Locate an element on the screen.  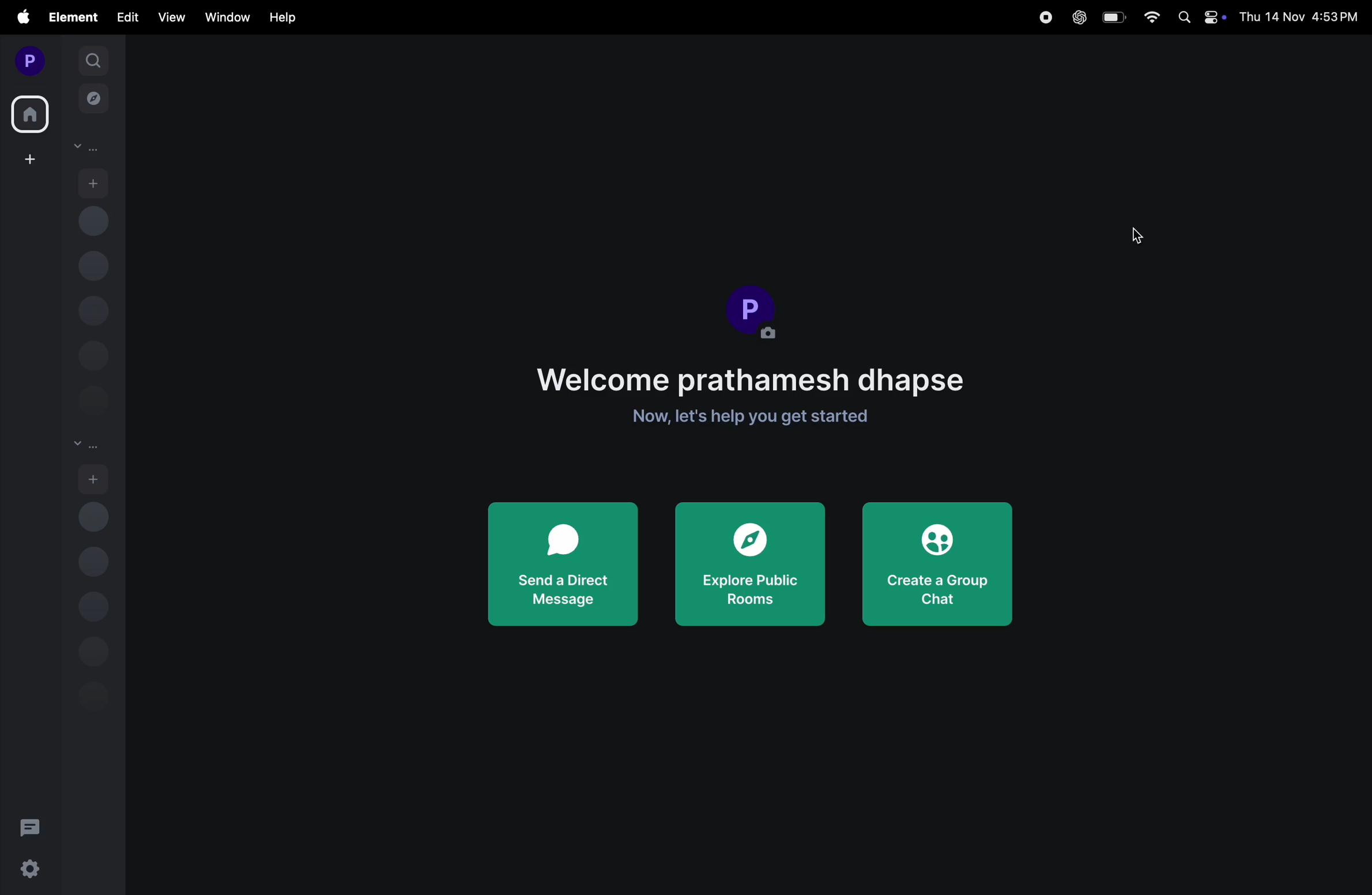
cursor is located at coordinates (1138, 236).